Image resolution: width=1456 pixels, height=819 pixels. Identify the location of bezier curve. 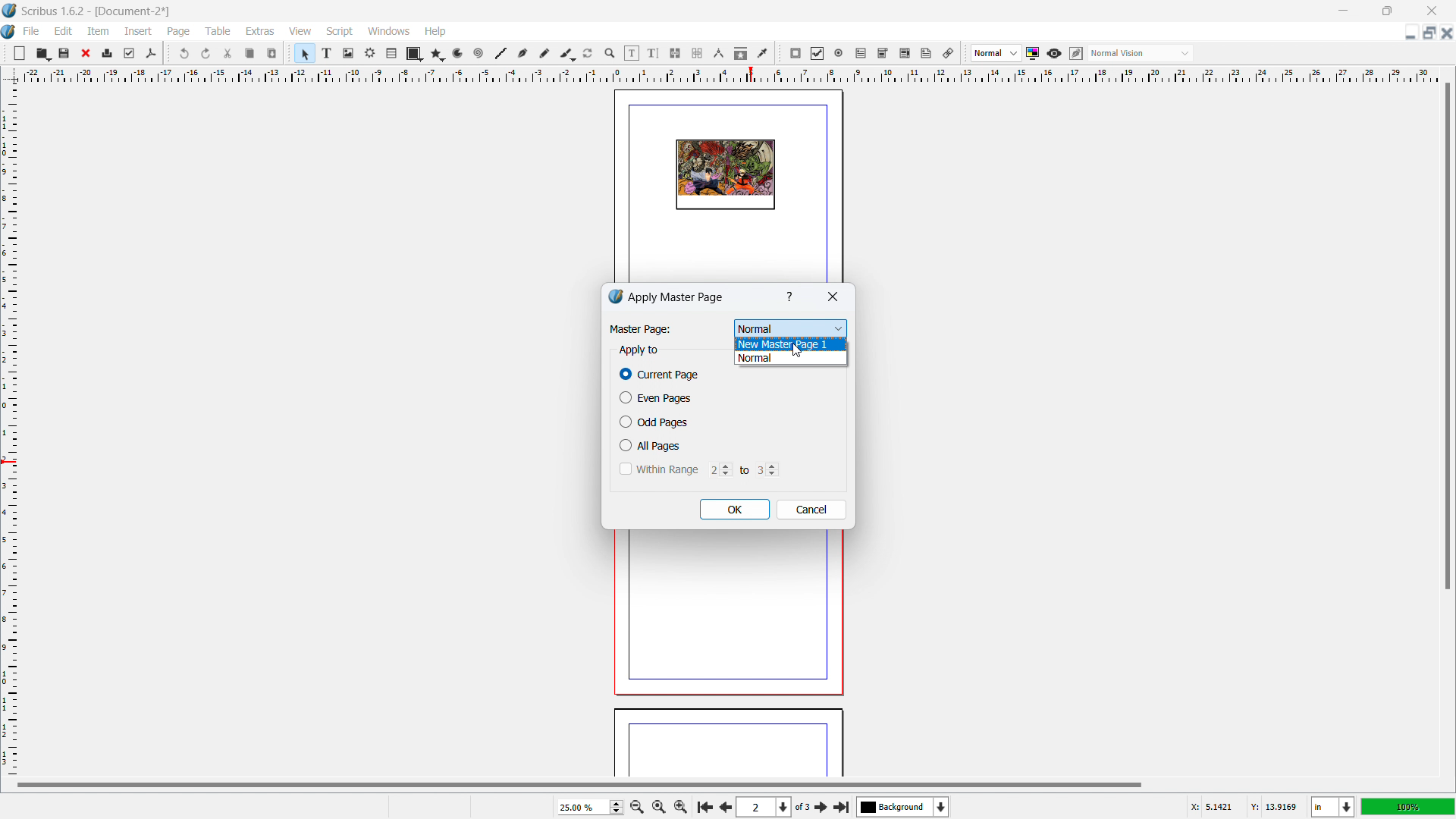
(522, 54).